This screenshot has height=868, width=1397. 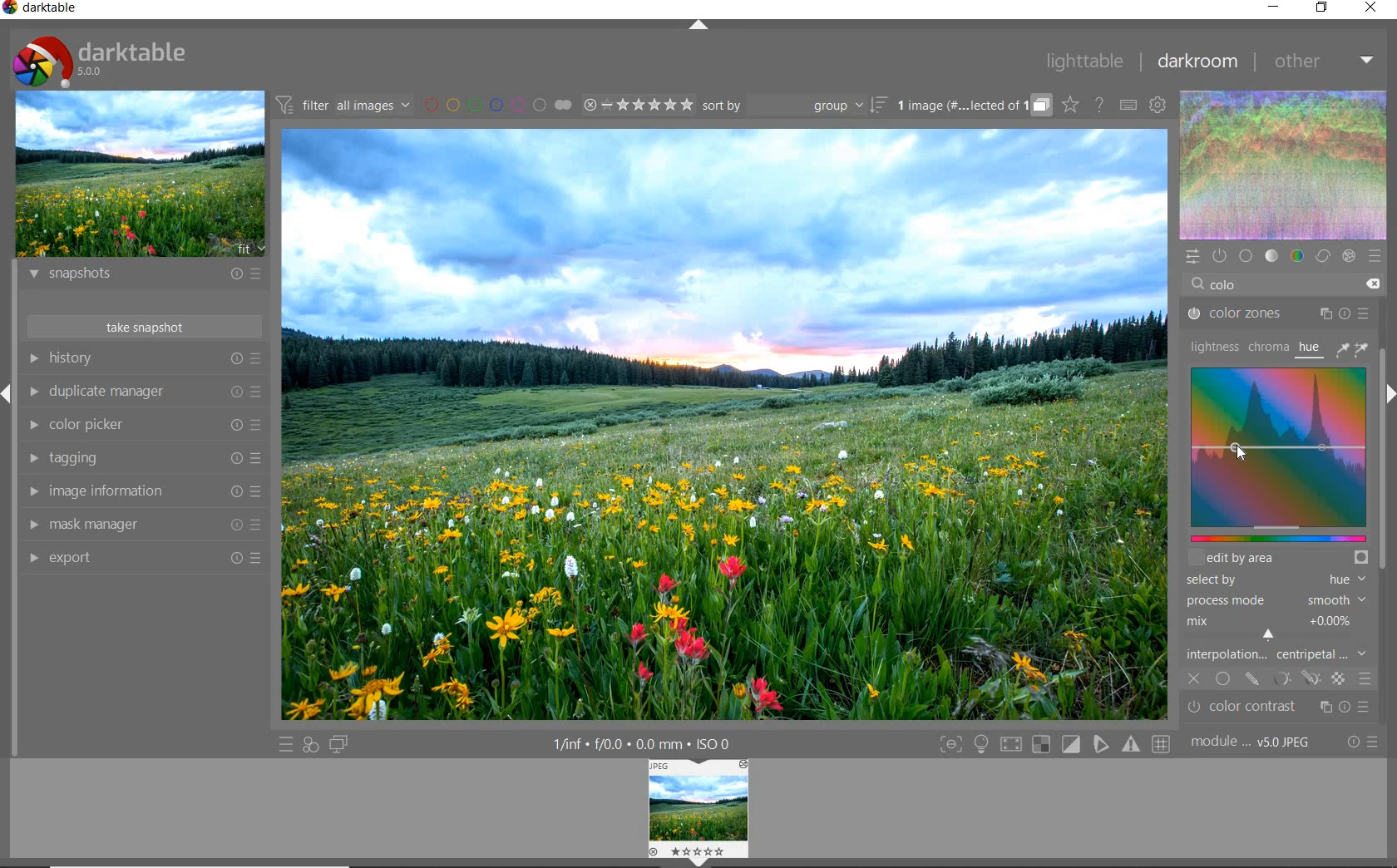 What do you see at coordinates (1277, 445) in the screenshot?
I see `colorize` at bounding box center [1277, 445].